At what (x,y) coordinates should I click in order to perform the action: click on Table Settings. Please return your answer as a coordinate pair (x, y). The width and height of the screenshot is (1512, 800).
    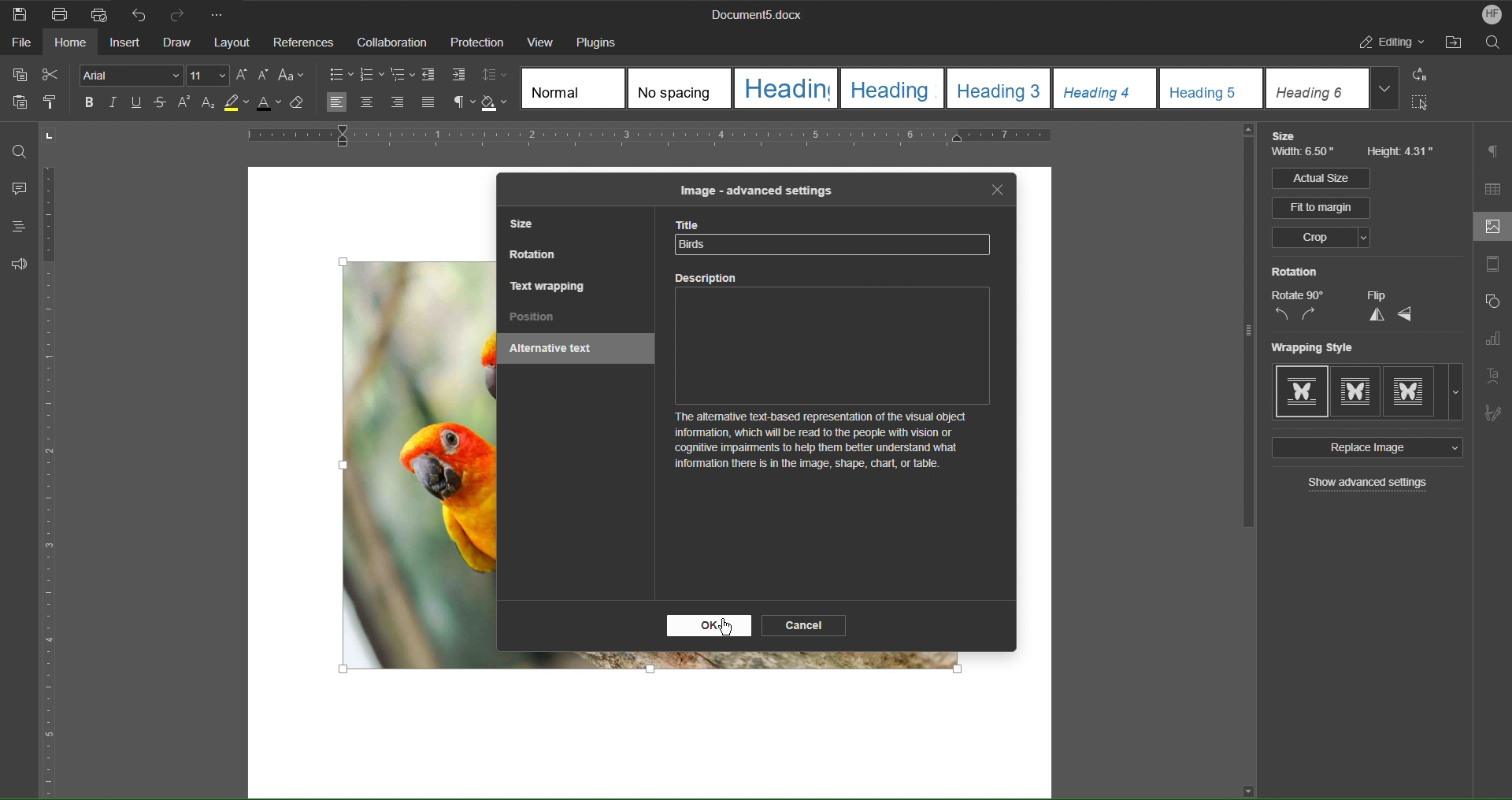
    Looking at the image, I should click on (1493, 189).